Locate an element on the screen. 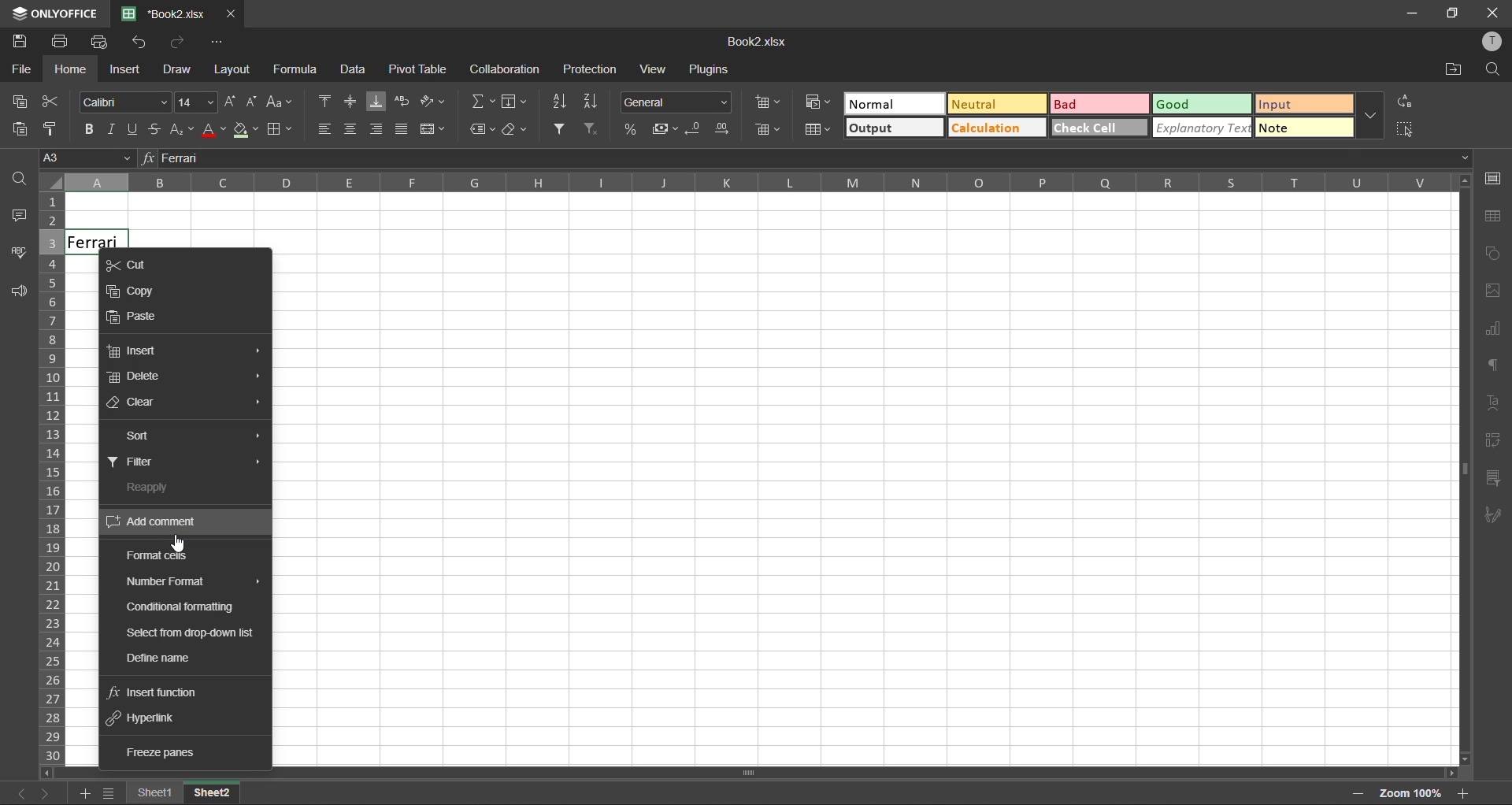 The height and width of the screenshot is (805, 1512). images is located at coordinates (1497, 294).